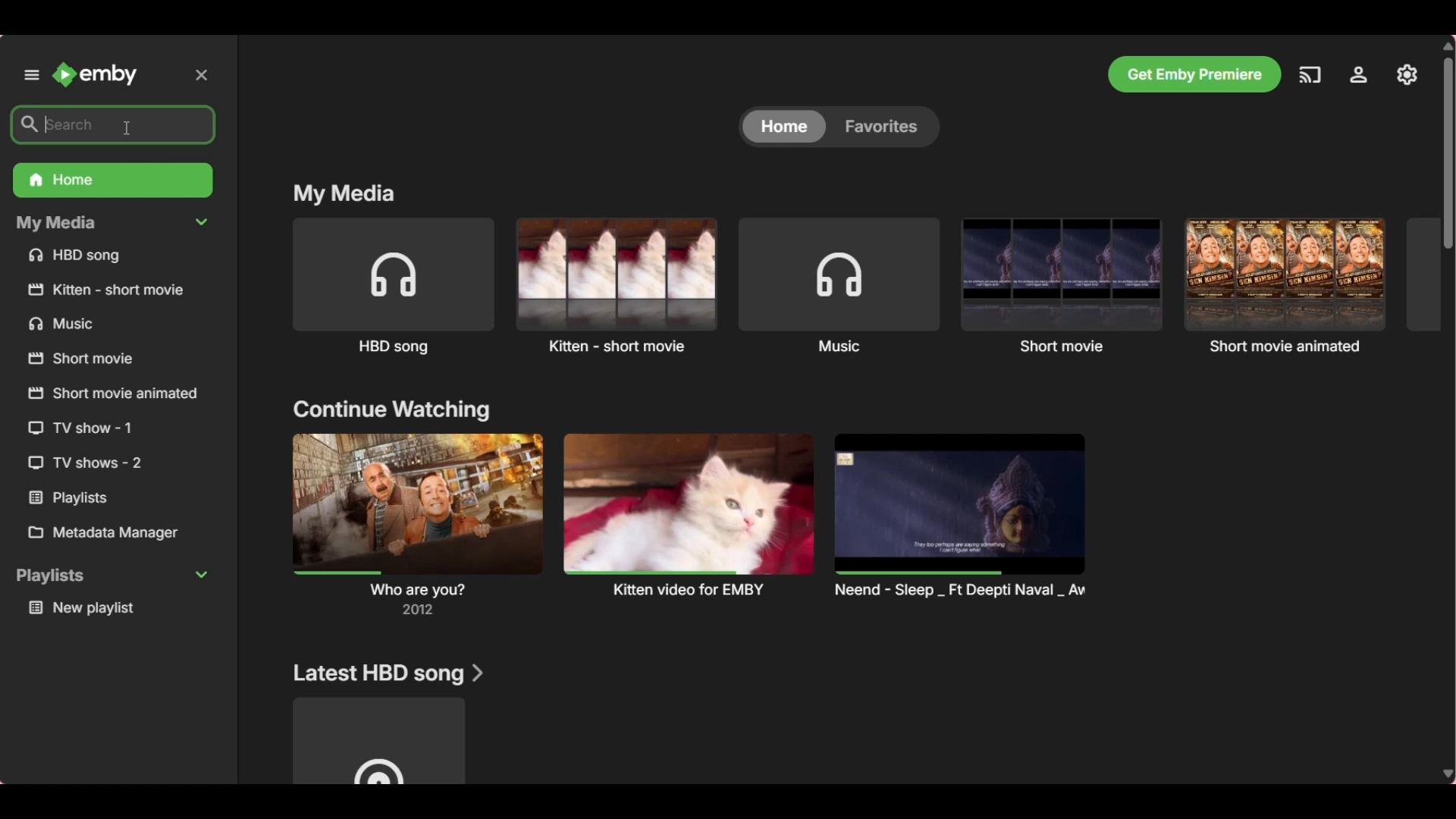 The width and height of the screenshot is (1456, 819). Describe the element at coordinates (115, 533) in the screenshot. I see `Metadata manager` at that location.